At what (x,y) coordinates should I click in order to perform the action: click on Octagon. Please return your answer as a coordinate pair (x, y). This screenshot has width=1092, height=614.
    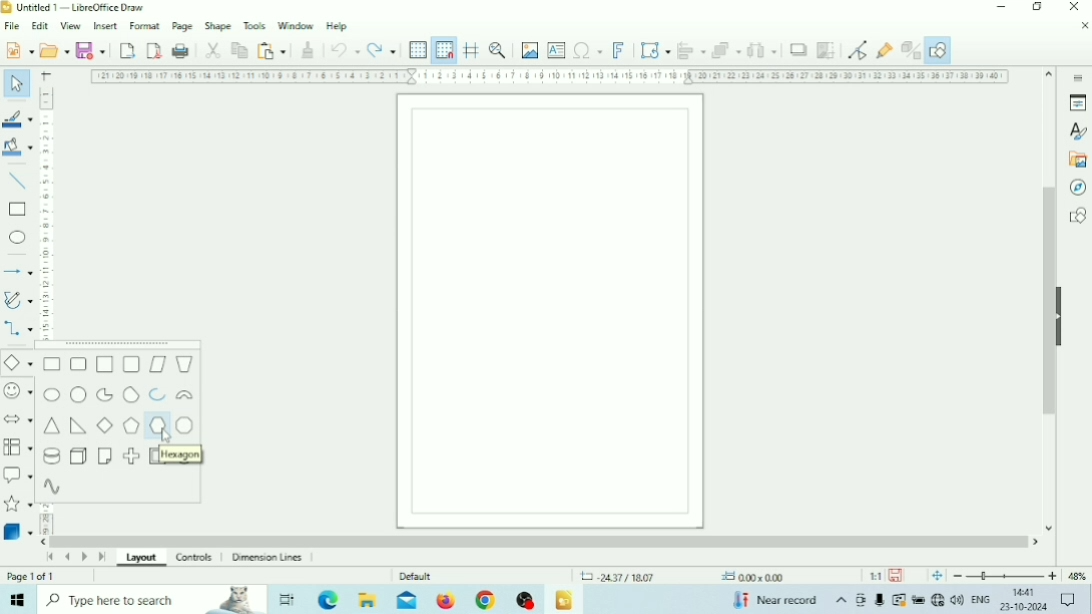
    Looking at the image, I should click on (186, 427).